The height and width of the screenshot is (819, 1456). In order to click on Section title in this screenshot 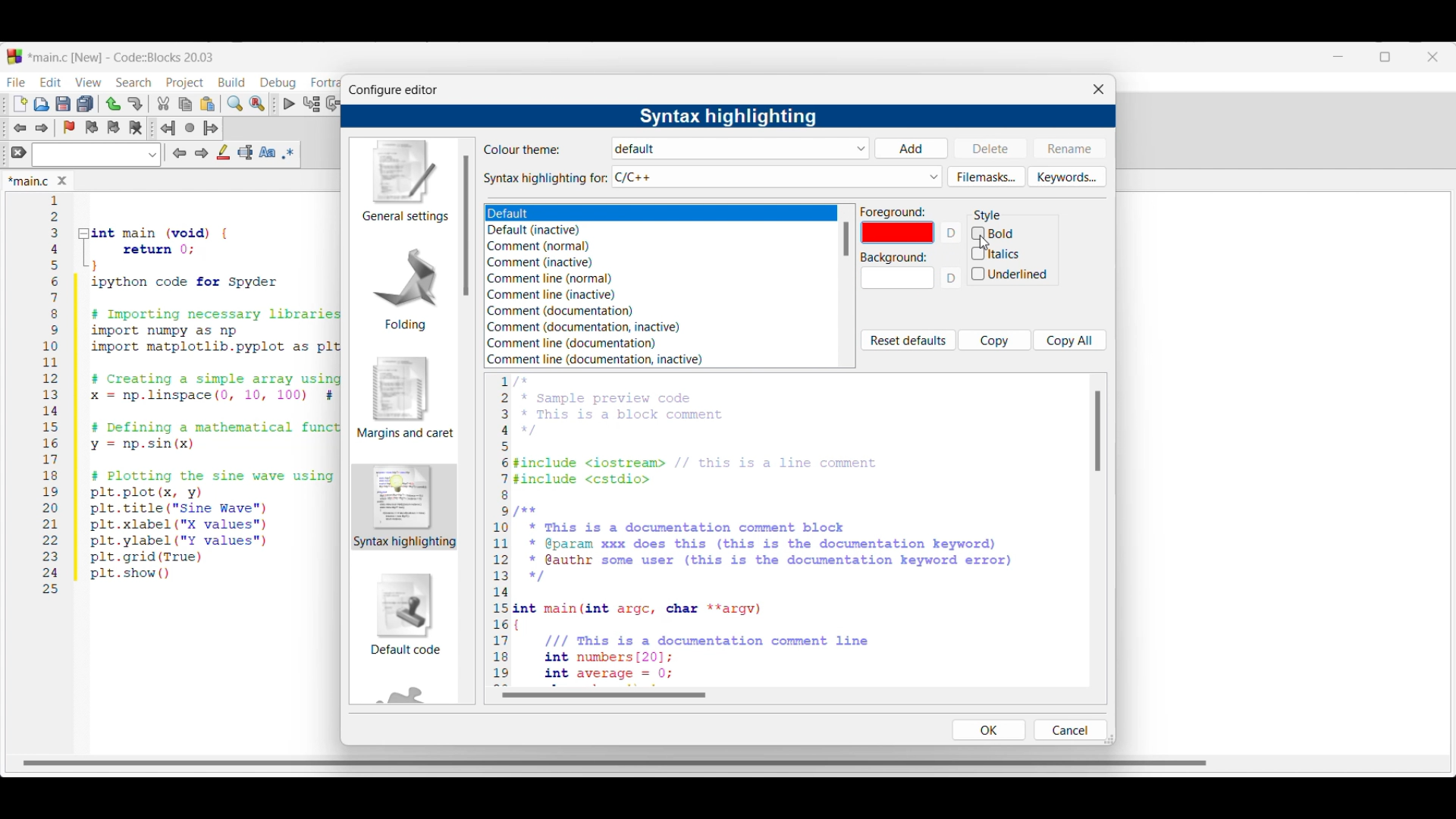, I will do `click(987, 215)`.